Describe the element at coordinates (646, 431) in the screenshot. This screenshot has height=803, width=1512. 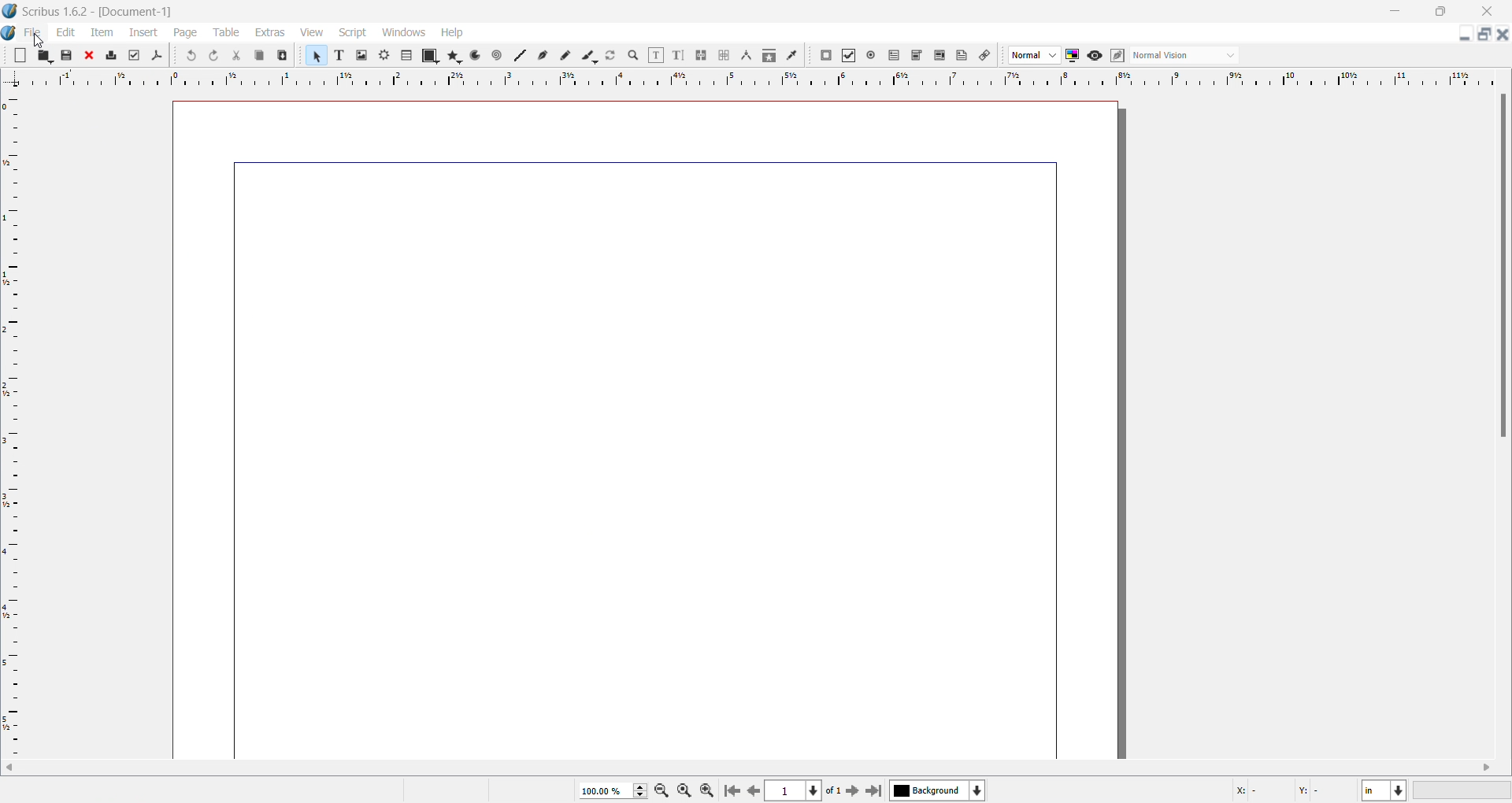
I see `Blank Document` at that location.